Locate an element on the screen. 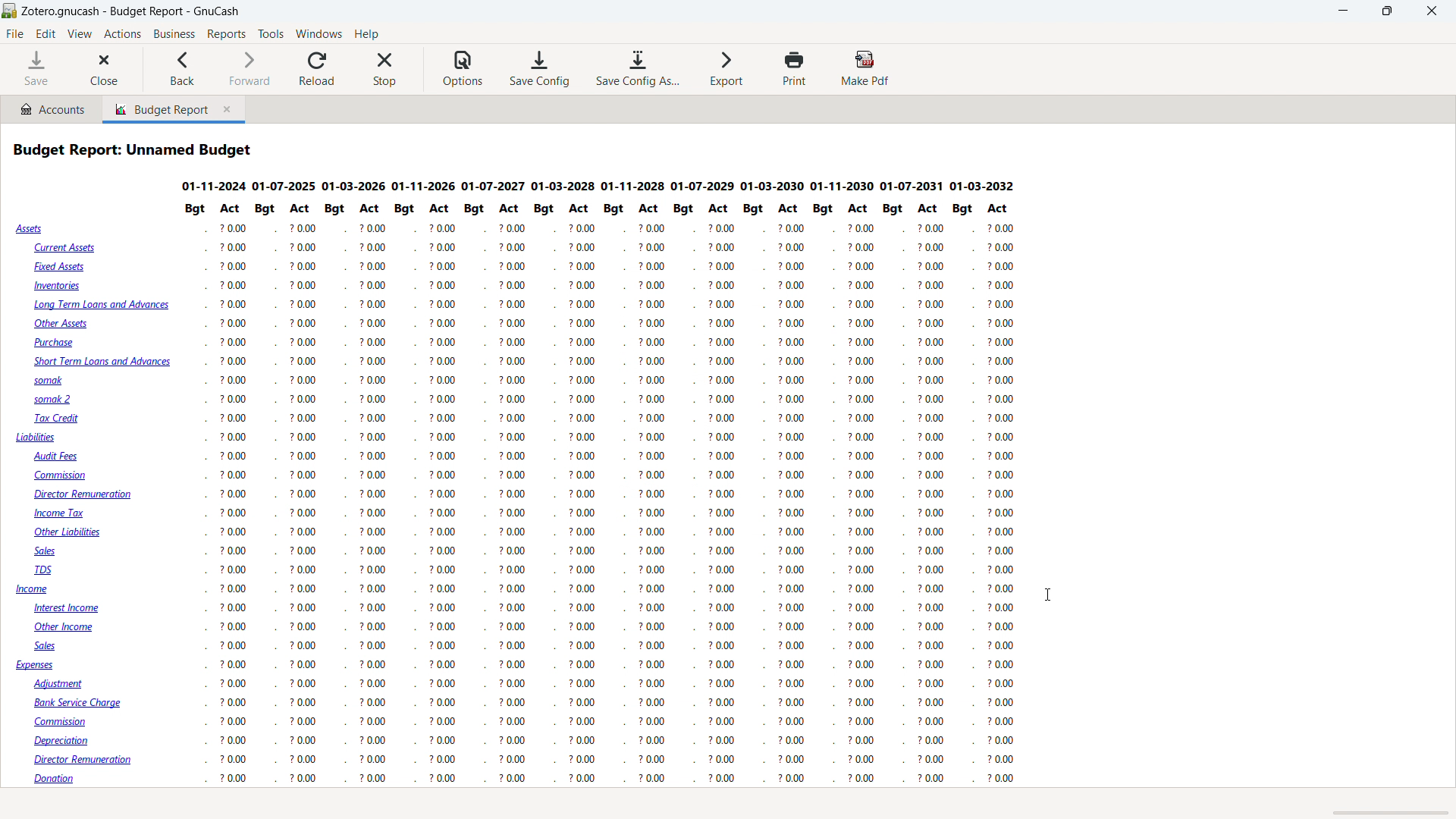  edit reprt options is located at coordinates (67, 805).